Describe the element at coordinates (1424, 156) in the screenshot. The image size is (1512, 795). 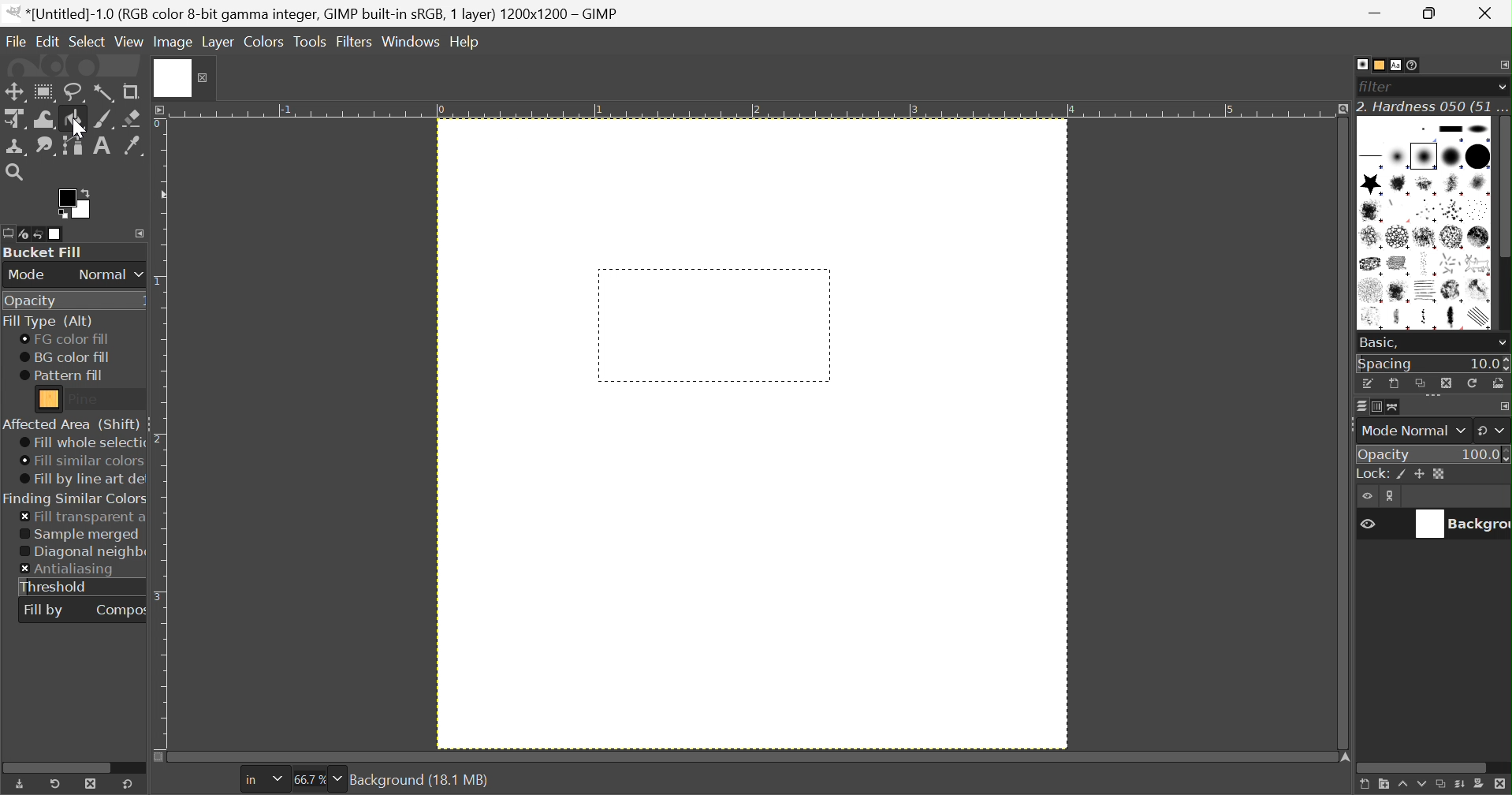
I see `Hardness` at that location.